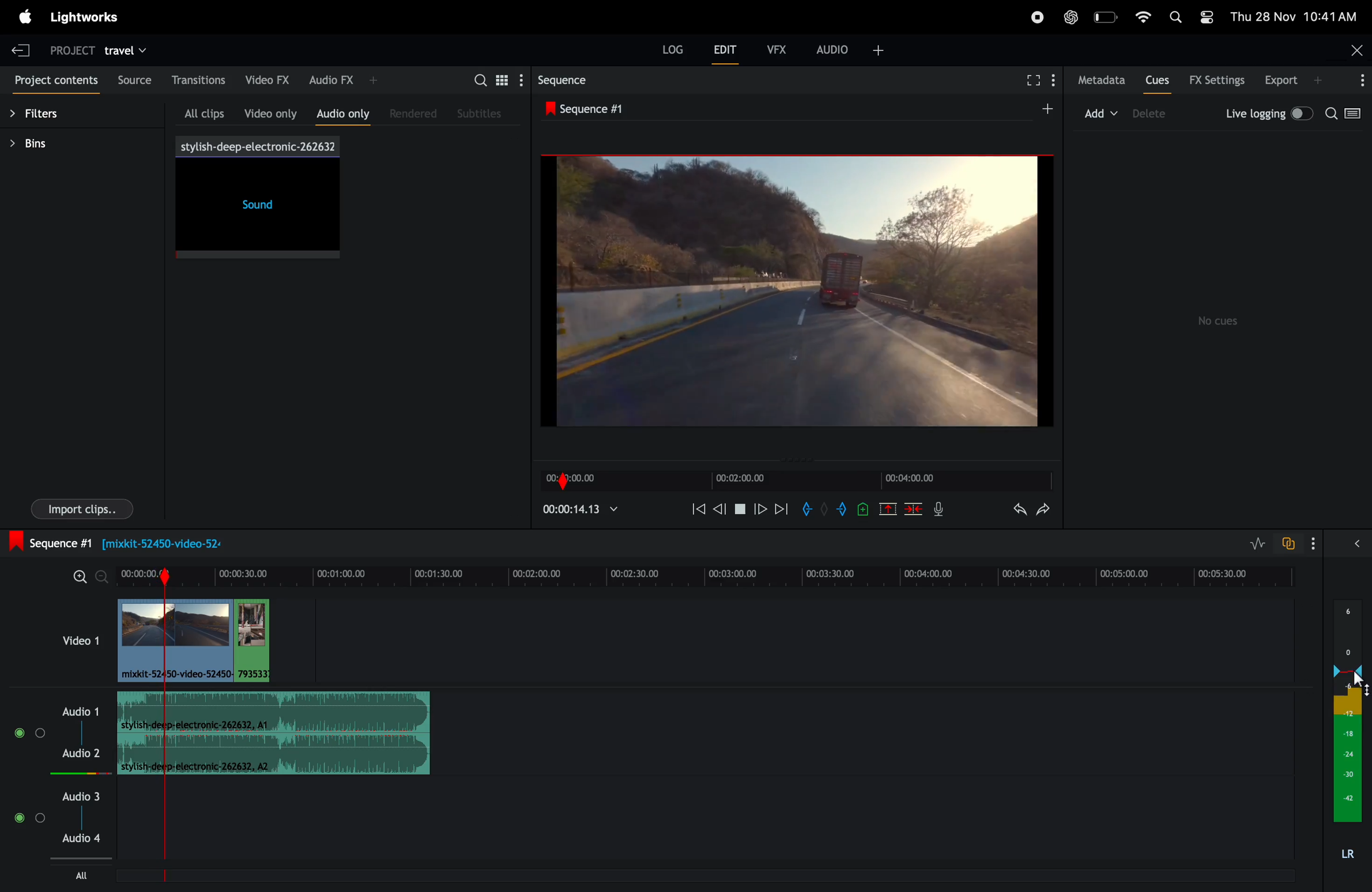 The width and height of the screenshot is (1372, 892). What do you see at coordinates (1266, 116) in the screenshot?
I see `live logging` at bounding box center [1266, 116].